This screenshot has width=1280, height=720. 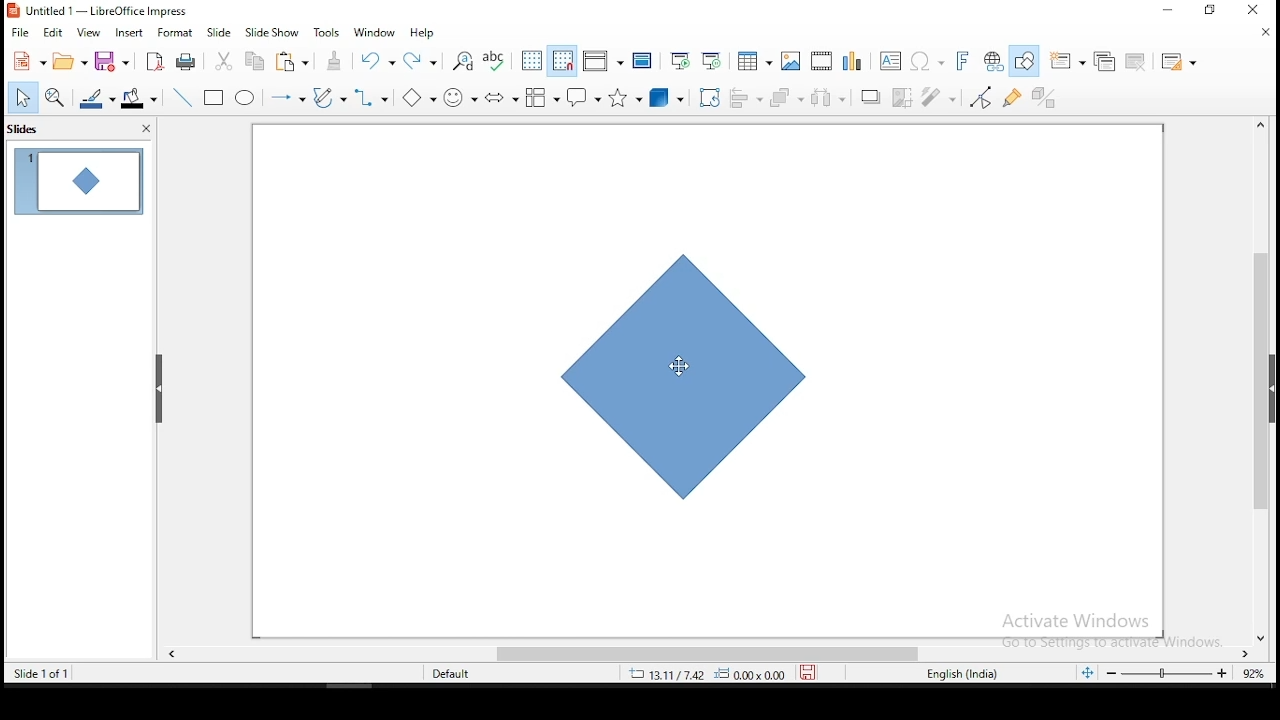 What do you see at coordinates (20, 34) in the screenshot?
I see `file` at bounding box center [20, 34].